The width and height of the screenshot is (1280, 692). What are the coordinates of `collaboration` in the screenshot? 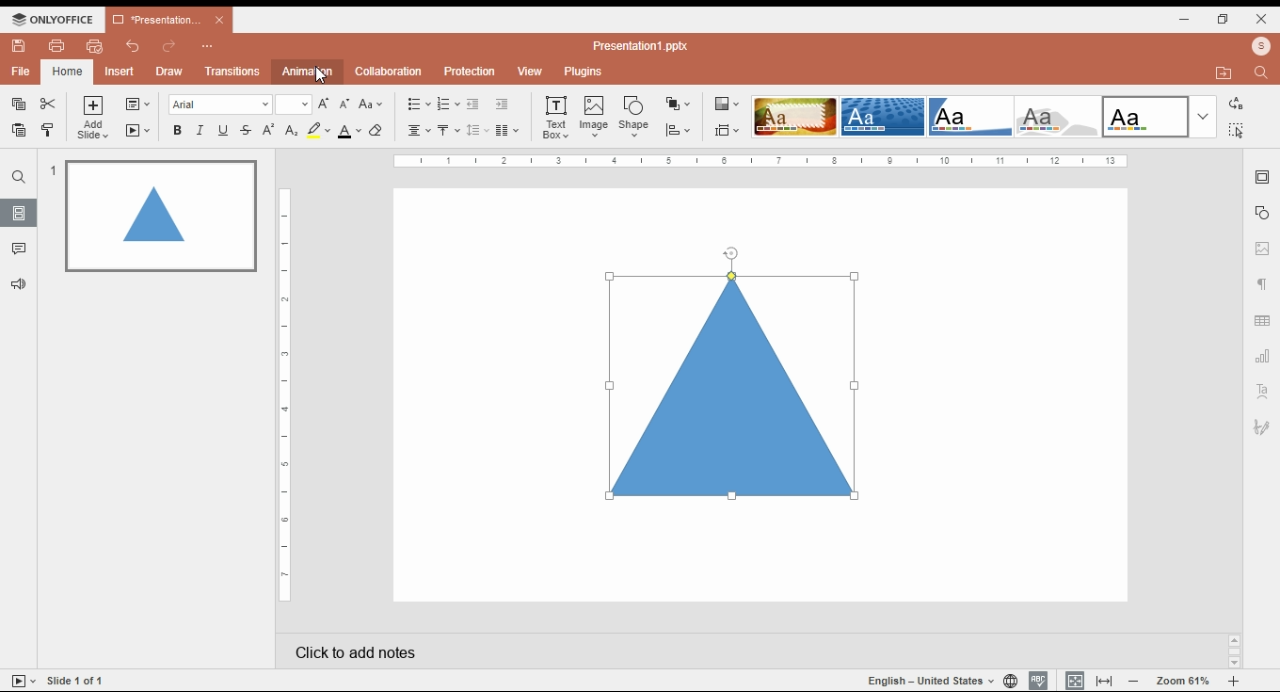 It's located at (389, 73).